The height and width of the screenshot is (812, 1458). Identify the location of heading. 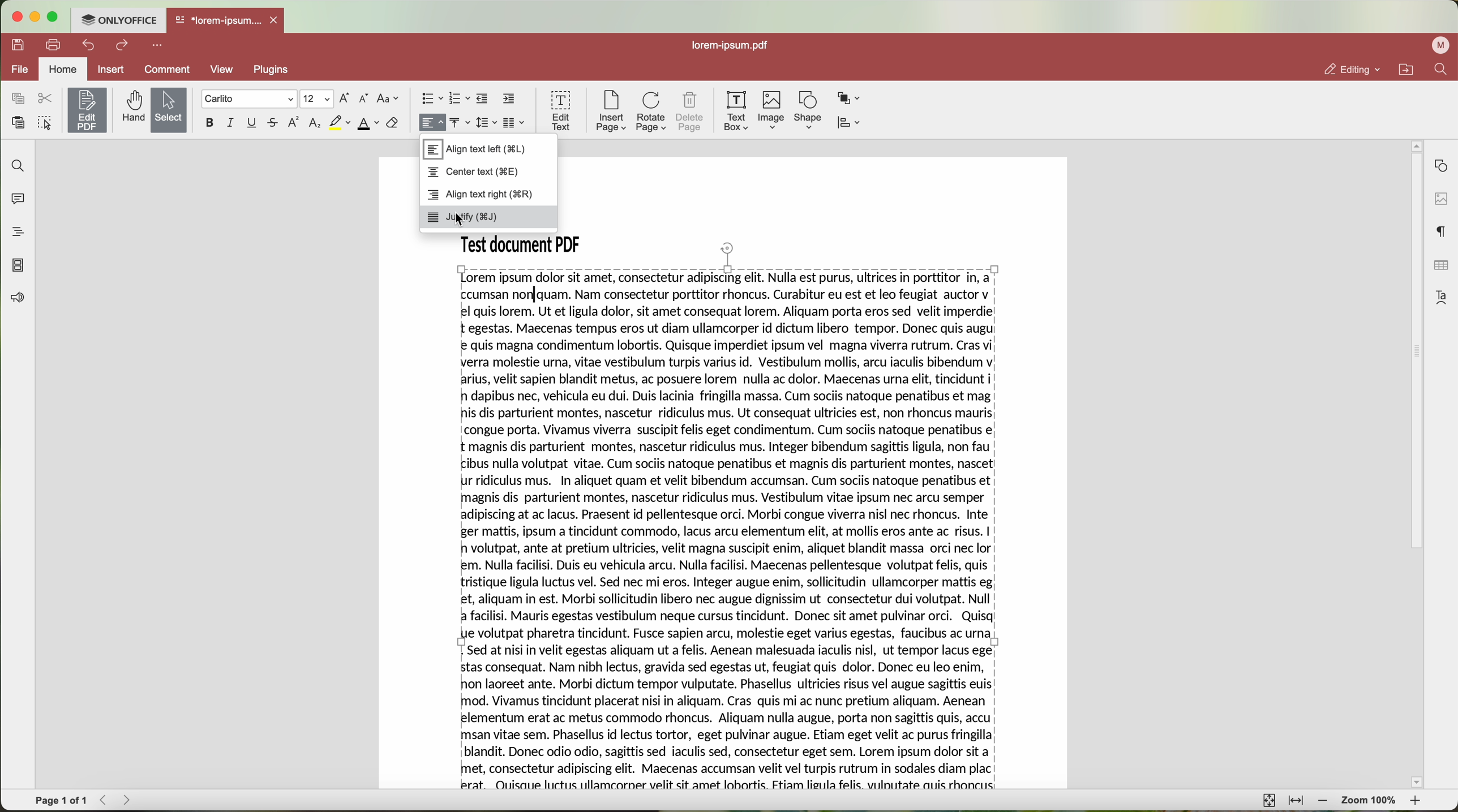
(17, 229).